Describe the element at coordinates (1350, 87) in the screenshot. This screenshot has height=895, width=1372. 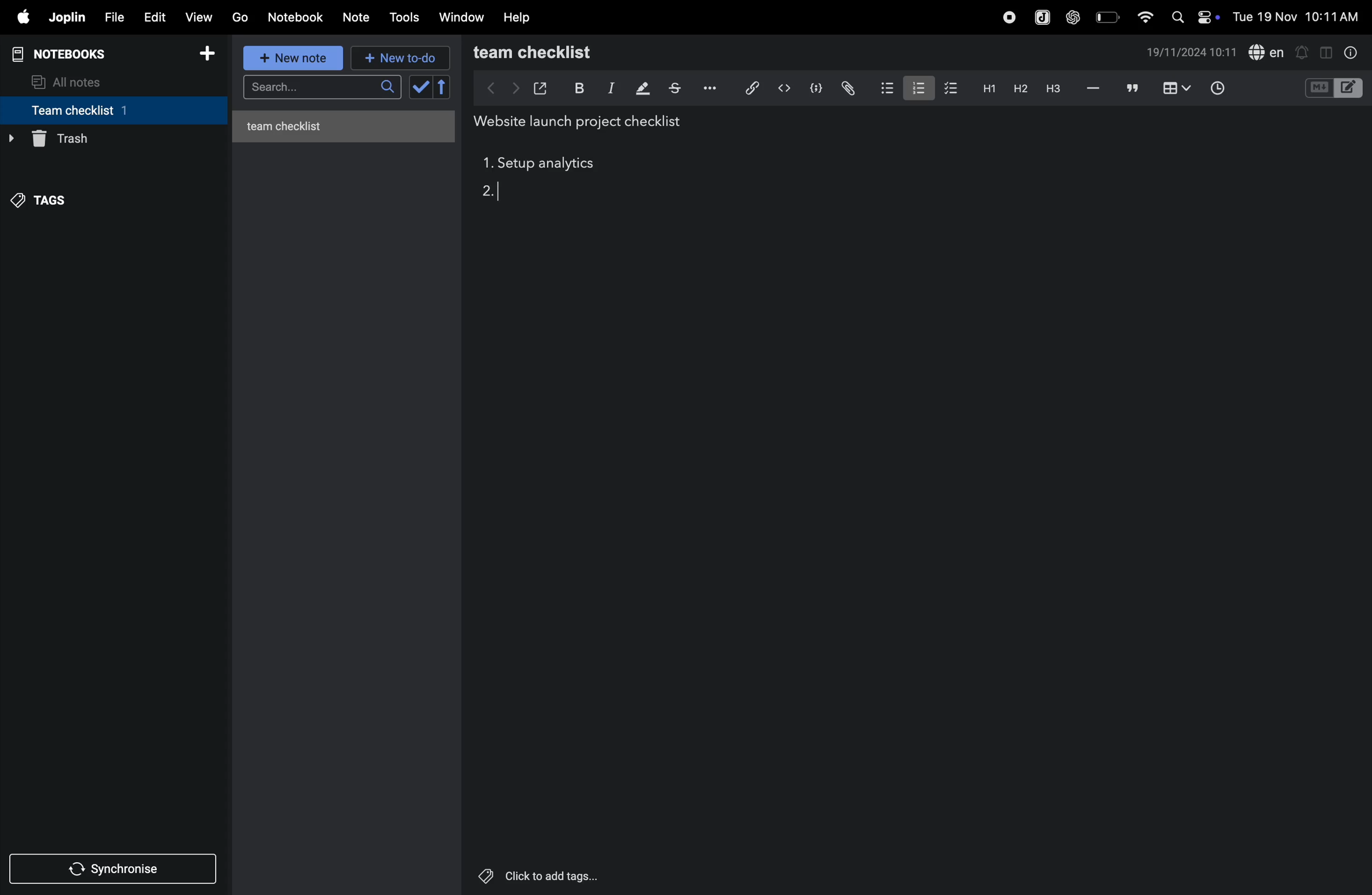
I see `editor layout` at that location.